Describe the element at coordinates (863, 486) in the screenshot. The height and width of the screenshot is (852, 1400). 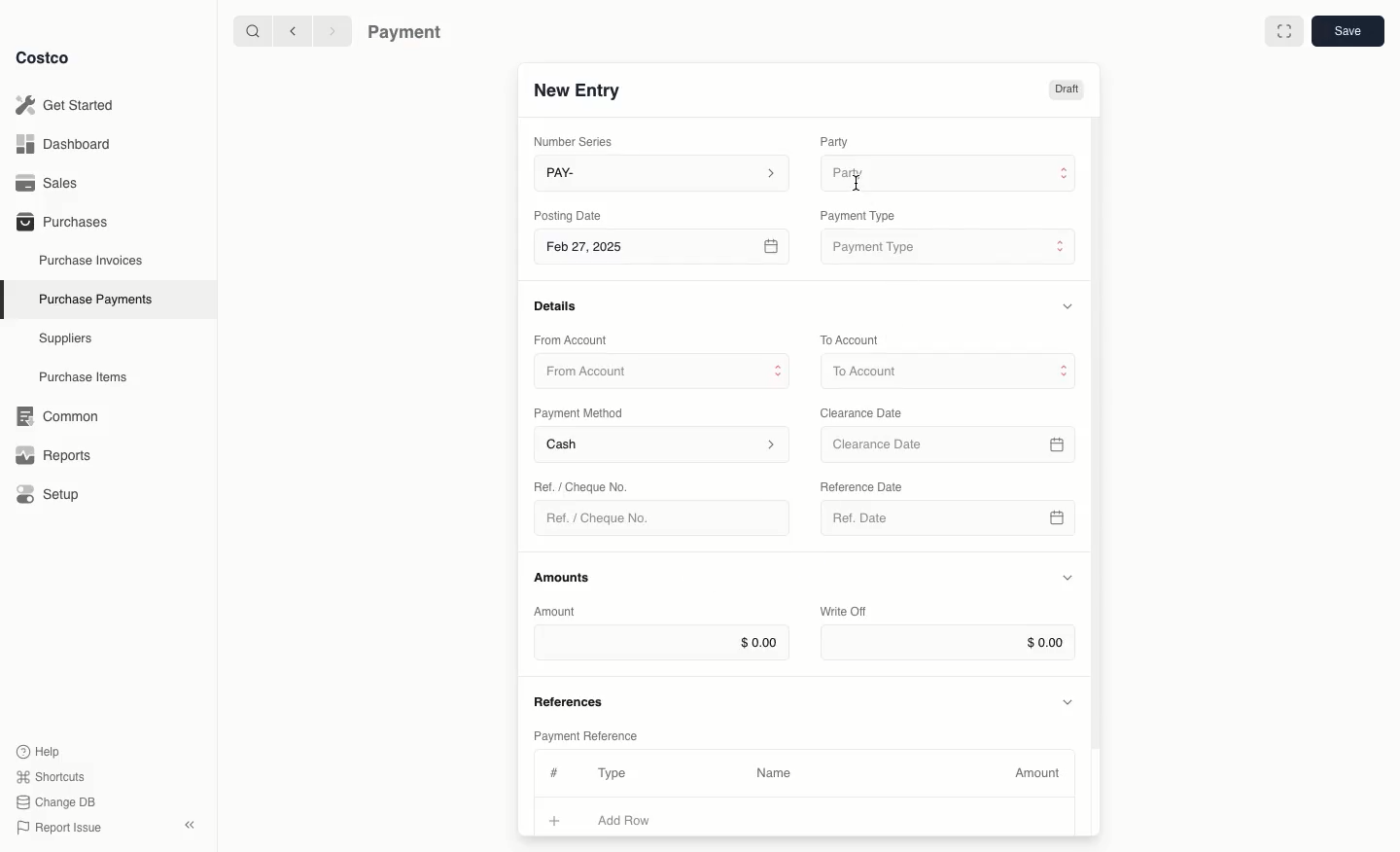
I see `‘Reference Date` at that location.